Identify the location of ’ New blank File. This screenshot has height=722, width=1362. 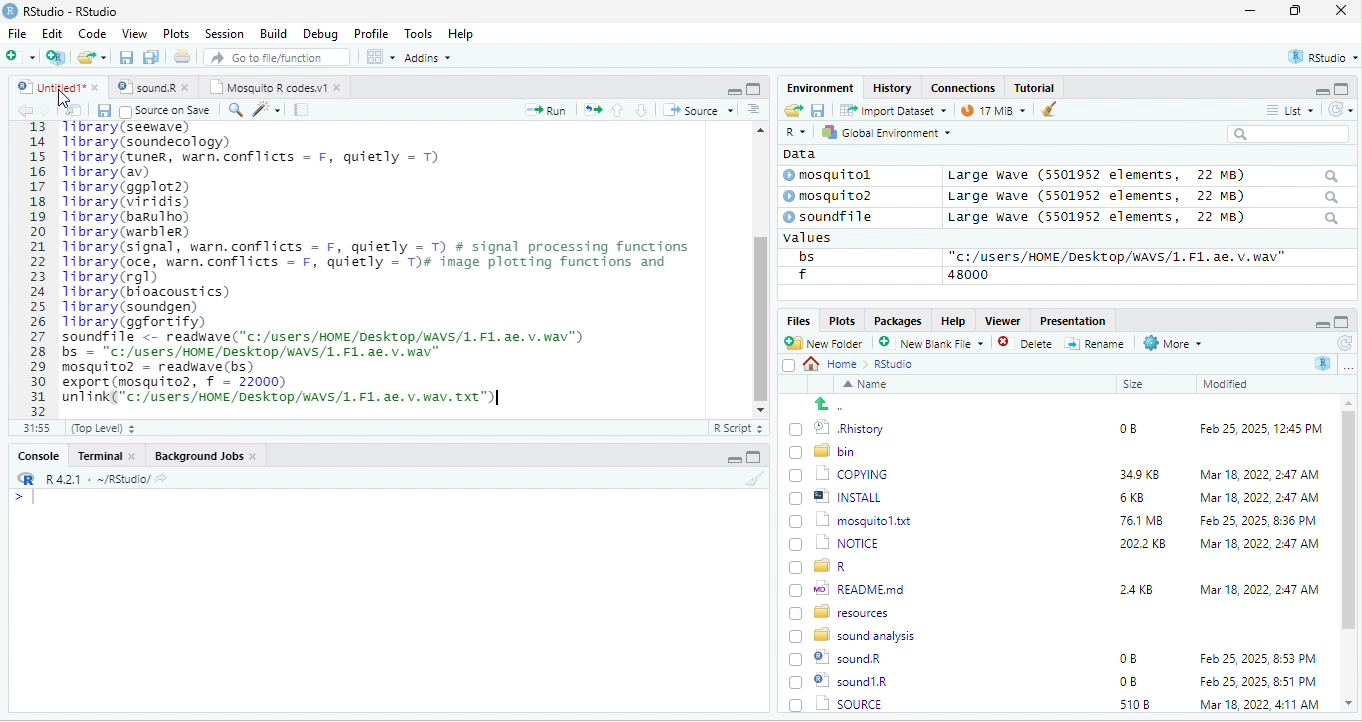
(937, 346).